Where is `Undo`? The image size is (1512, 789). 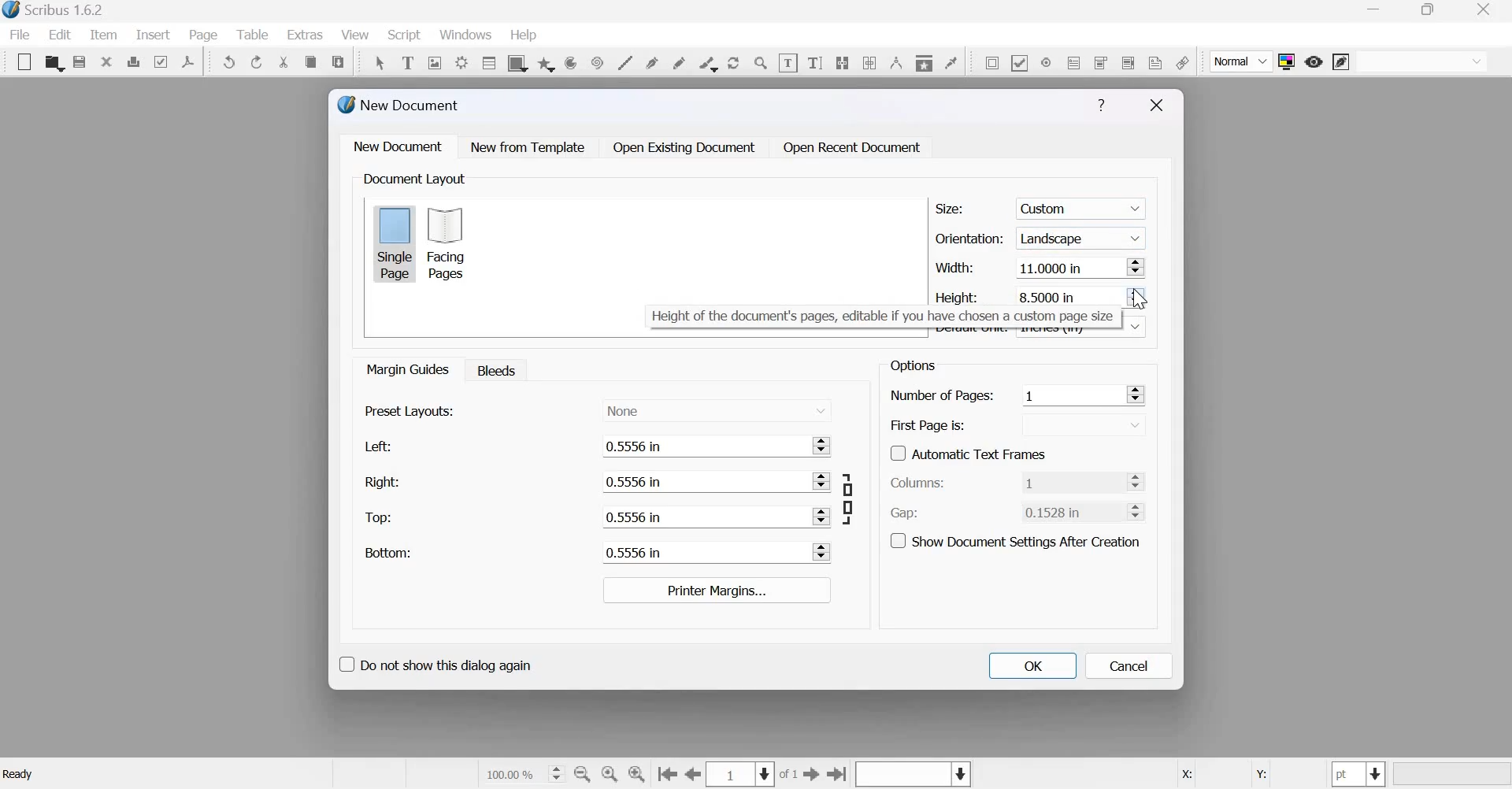
Undo is located at coordinates (230, 62).